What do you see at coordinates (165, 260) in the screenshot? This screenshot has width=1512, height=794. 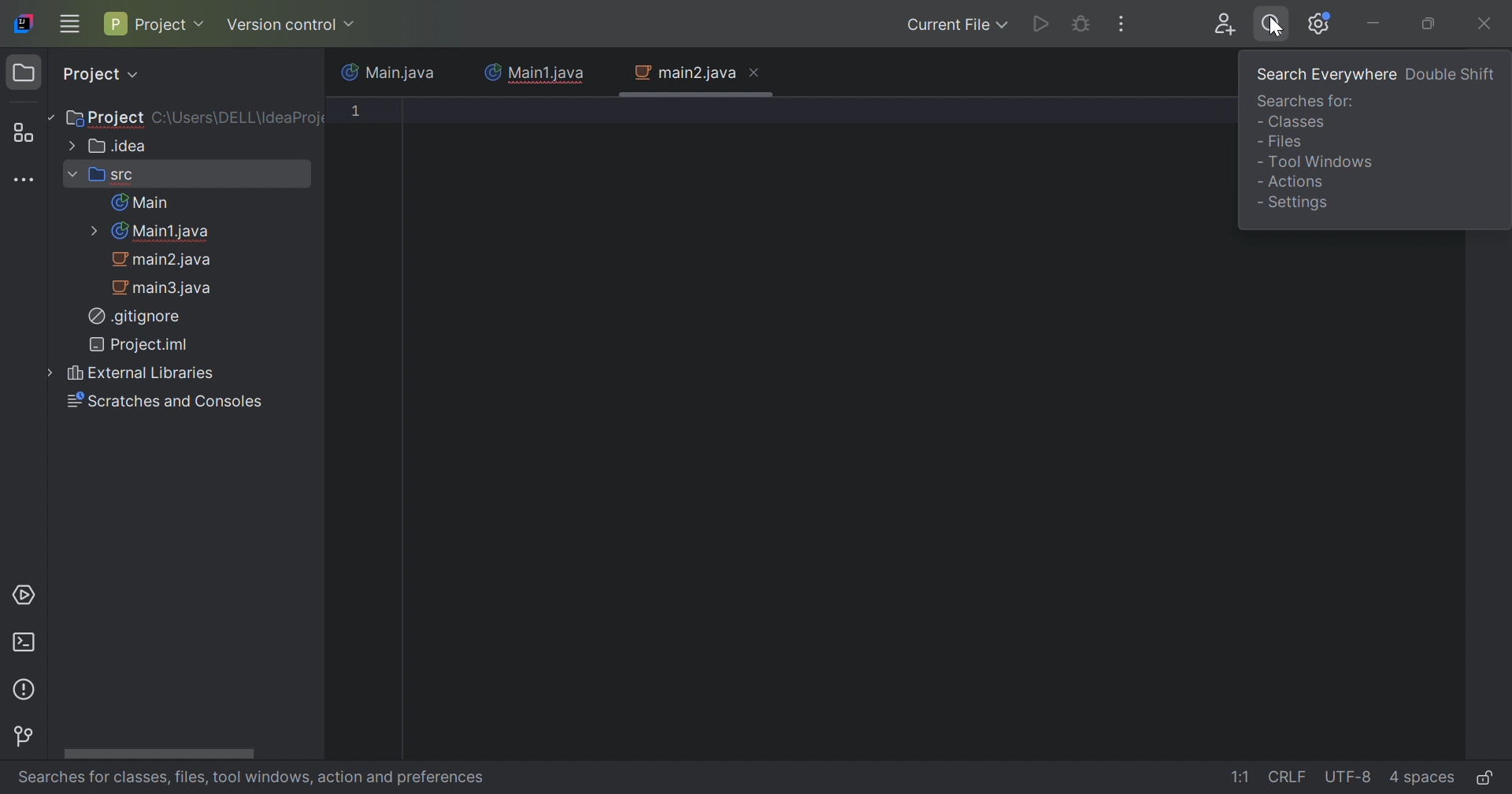 I see `main2.java` at bounding box center [165, 260].